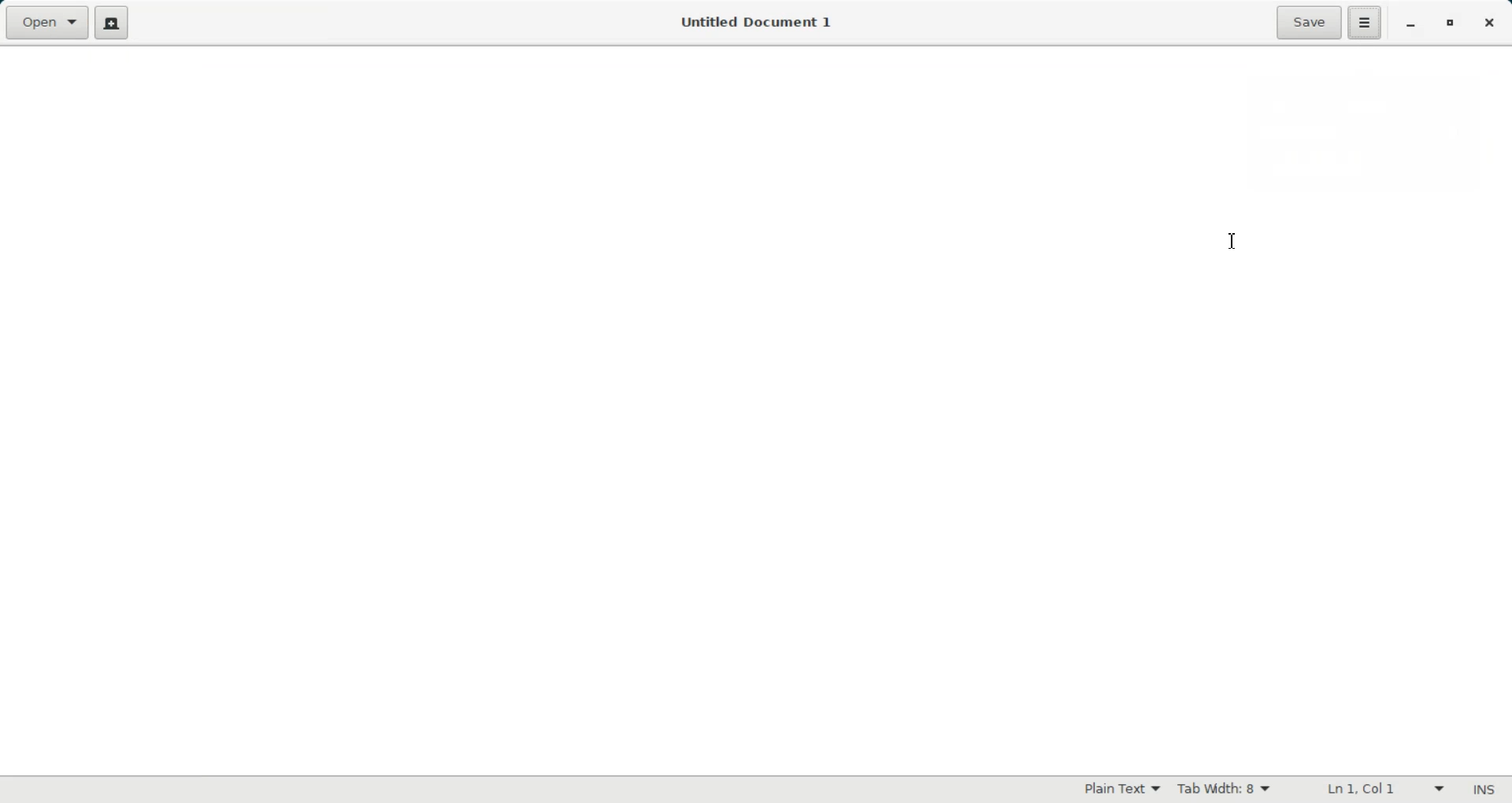  I want to click on Highlighting Mode, so click(1122, 790).